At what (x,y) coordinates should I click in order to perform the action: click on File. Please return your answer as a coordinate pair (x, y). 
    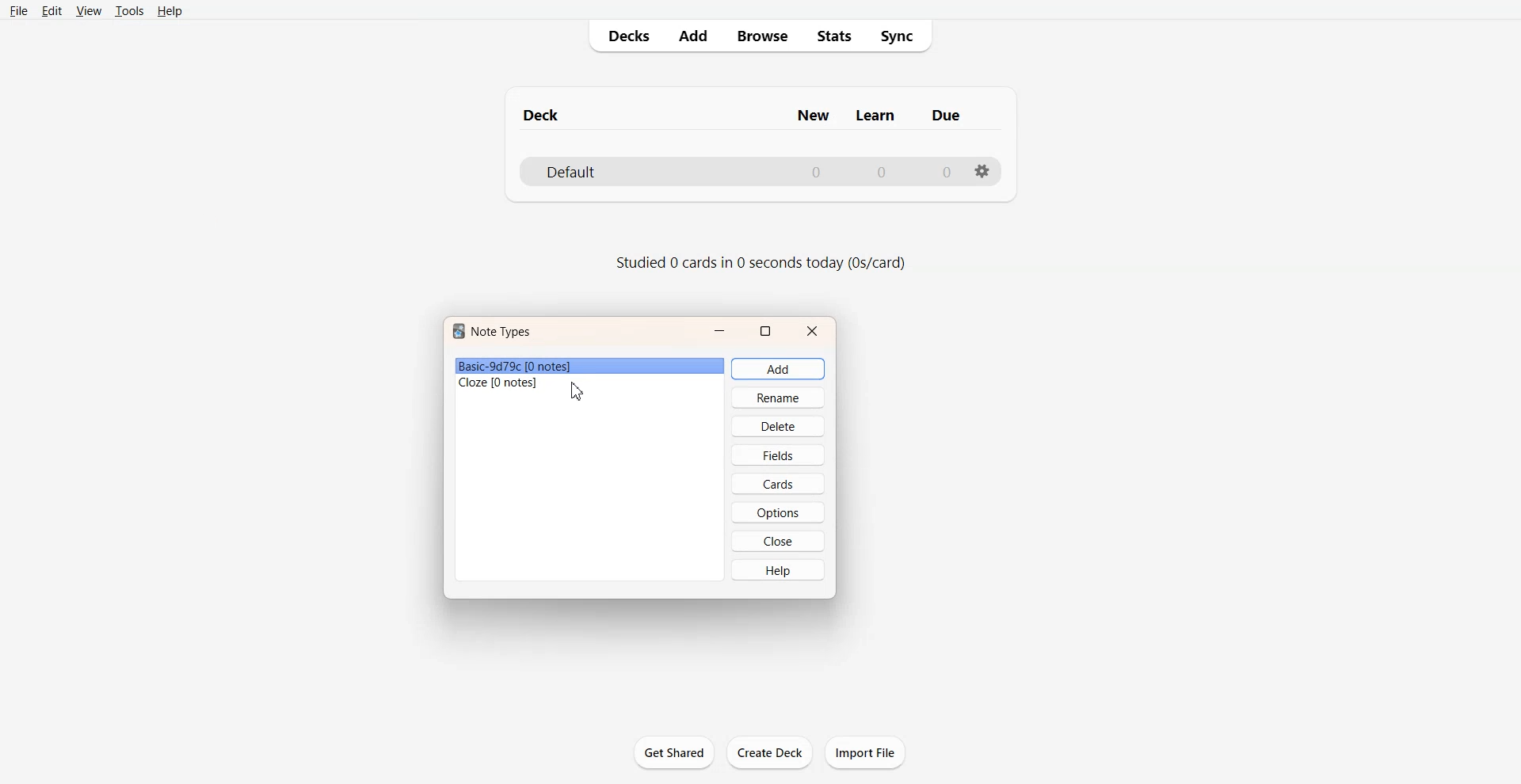
    Looking at the image, I should click on (590, 383).